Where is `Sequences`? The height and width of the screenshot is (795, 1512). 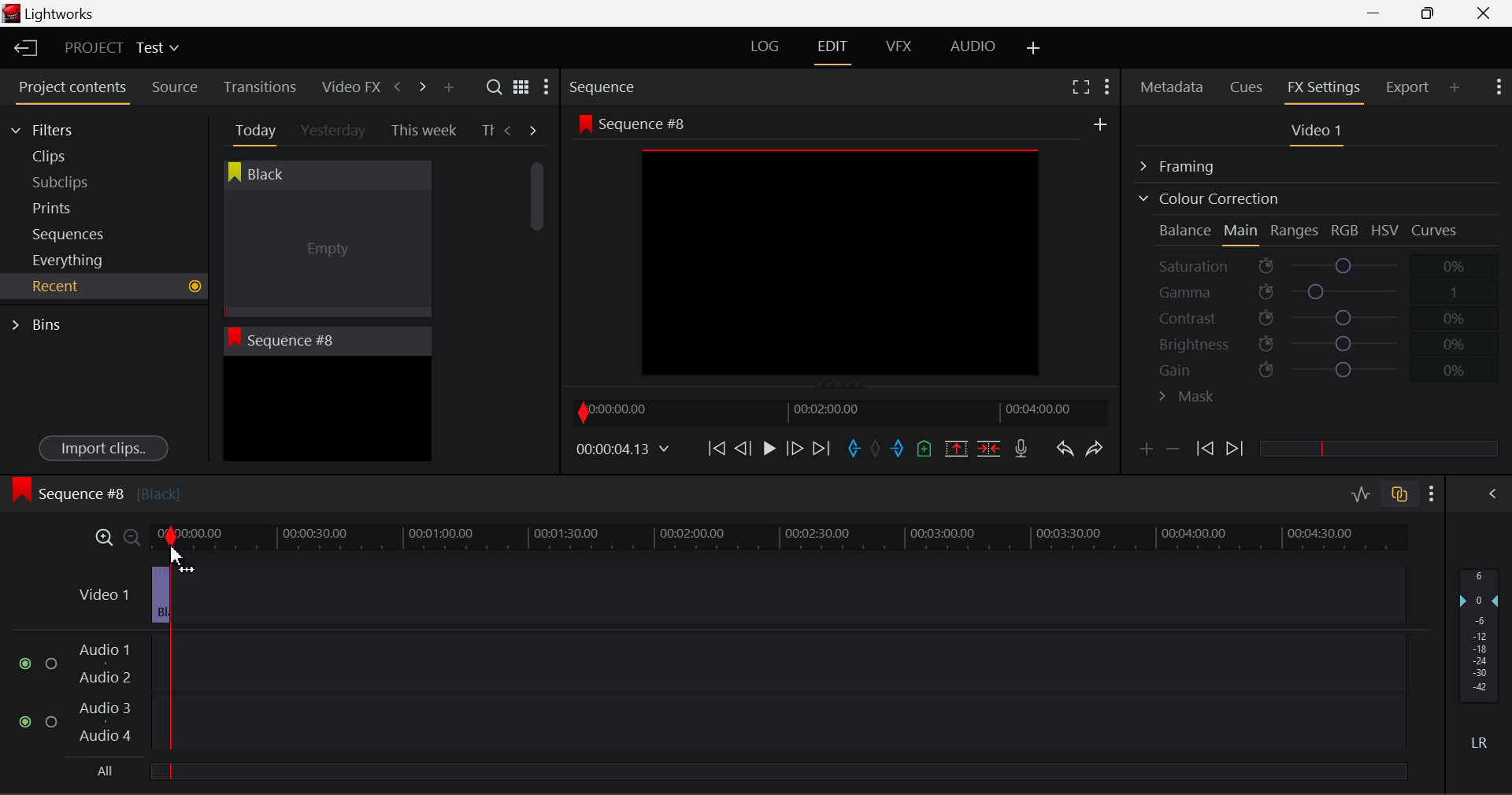
Sequences is located at coordinates (72, 232).